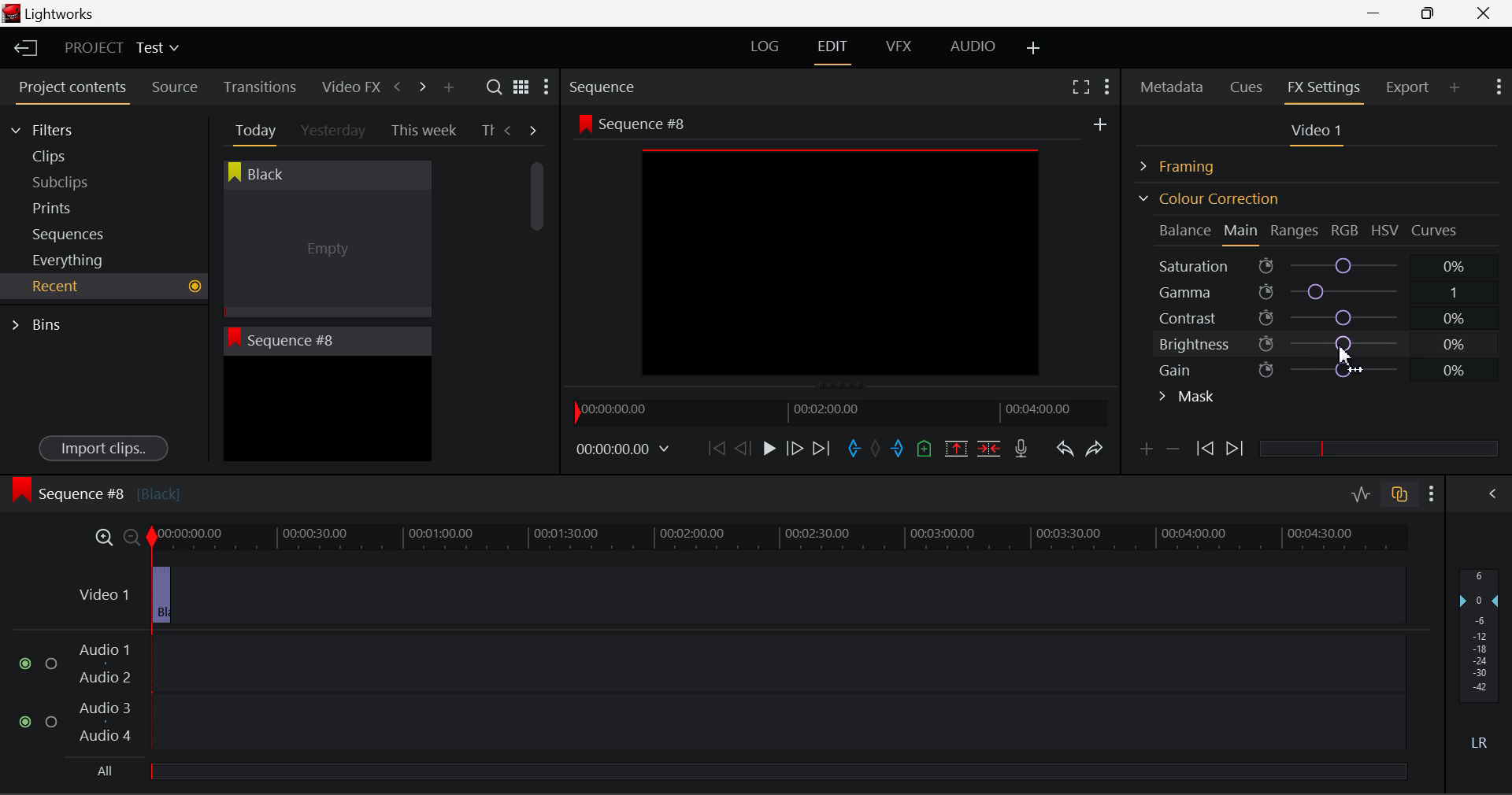 Image resolution: width=1512 pixels, height=795 pixels. Describe the element at coordinates (1021, 448) in the screenshot. I see `Recrod Voiceover` at that location.